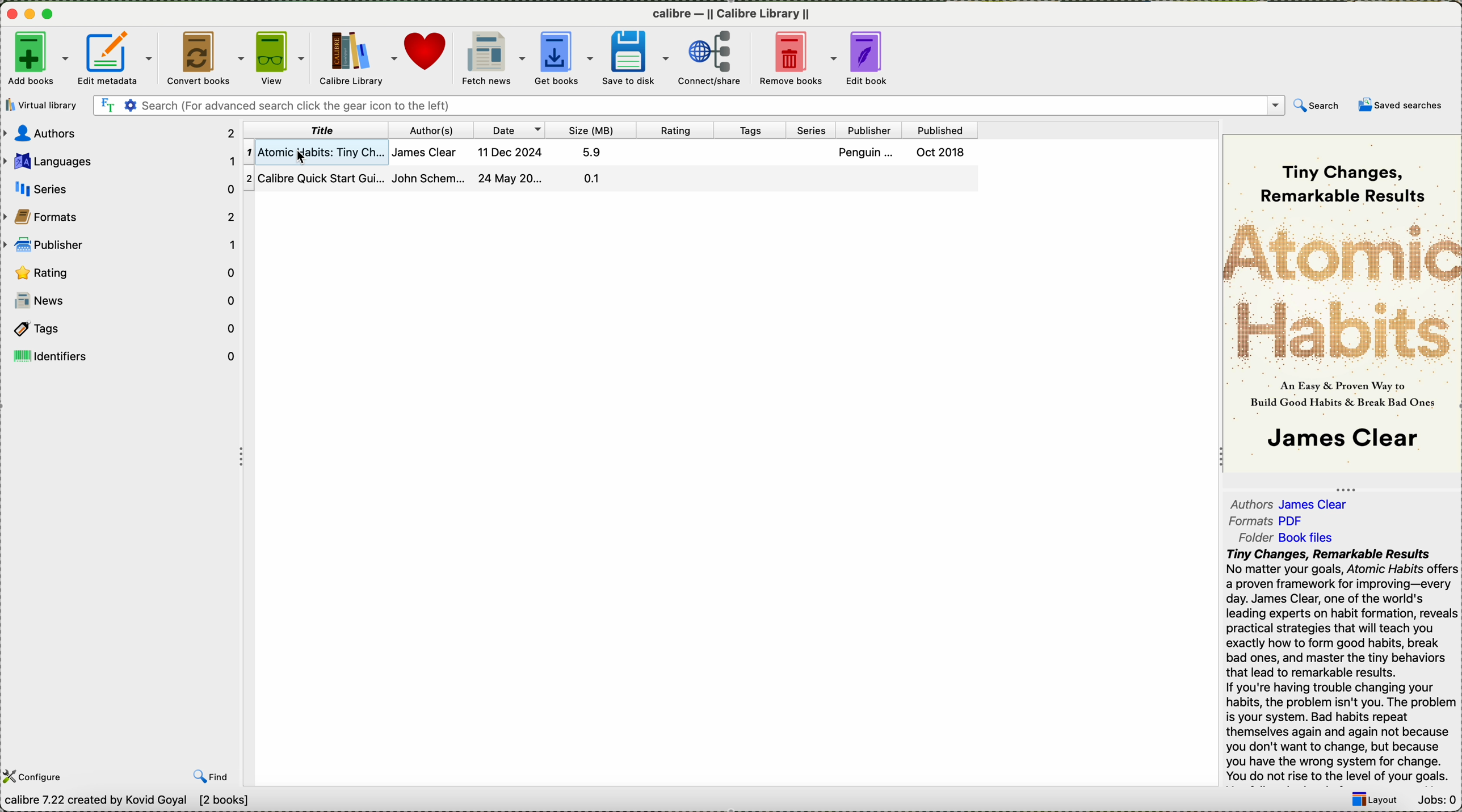 Image resolution: width=1462 pixels, height=812 pixels. Describe the element at coordinates (1269, 520) in the screenshot. I see `formats pdf` at that location.